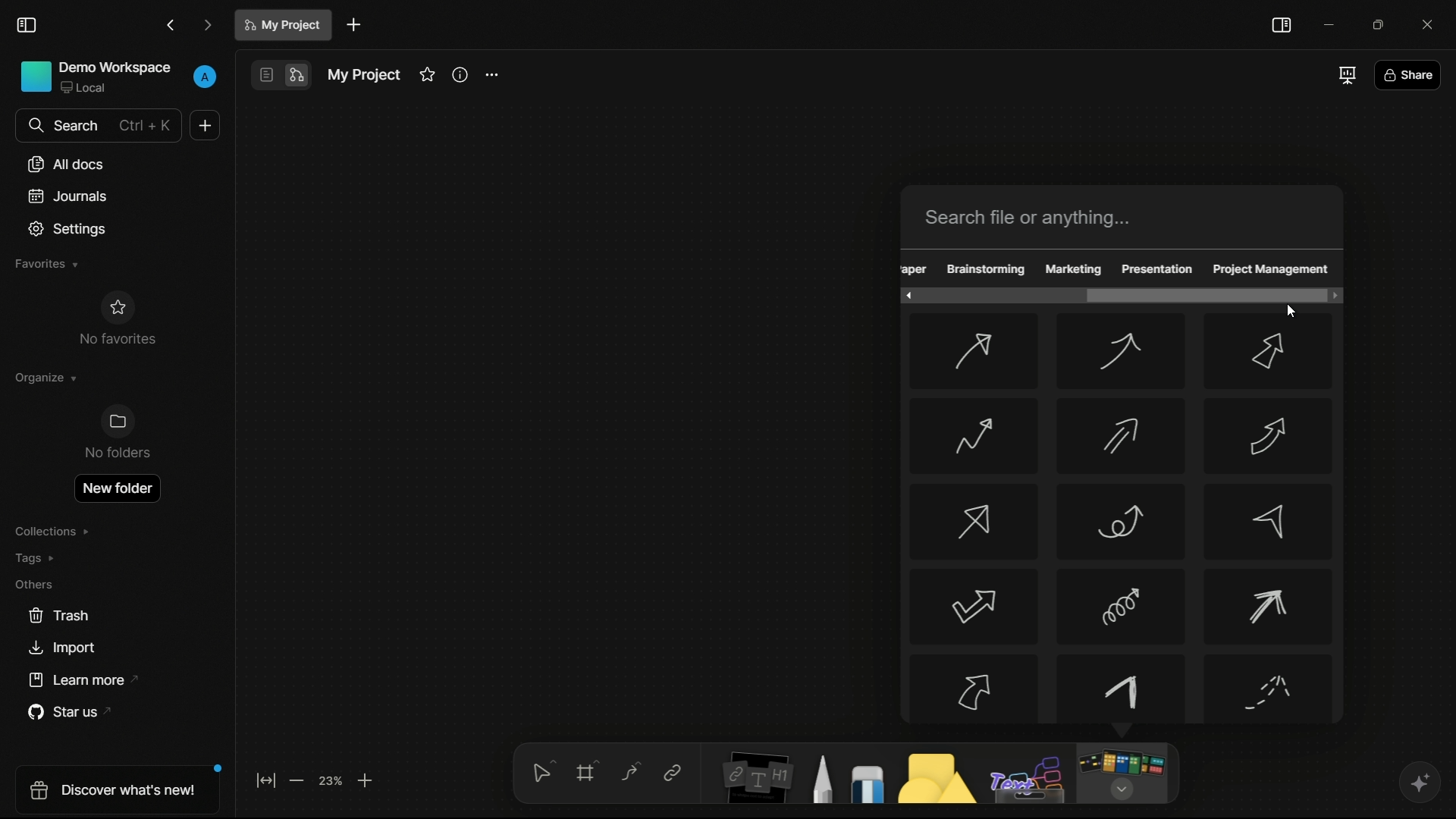  Describe the element at coordinates (1271, 270) in the screenshot. I see `project management` at that location.